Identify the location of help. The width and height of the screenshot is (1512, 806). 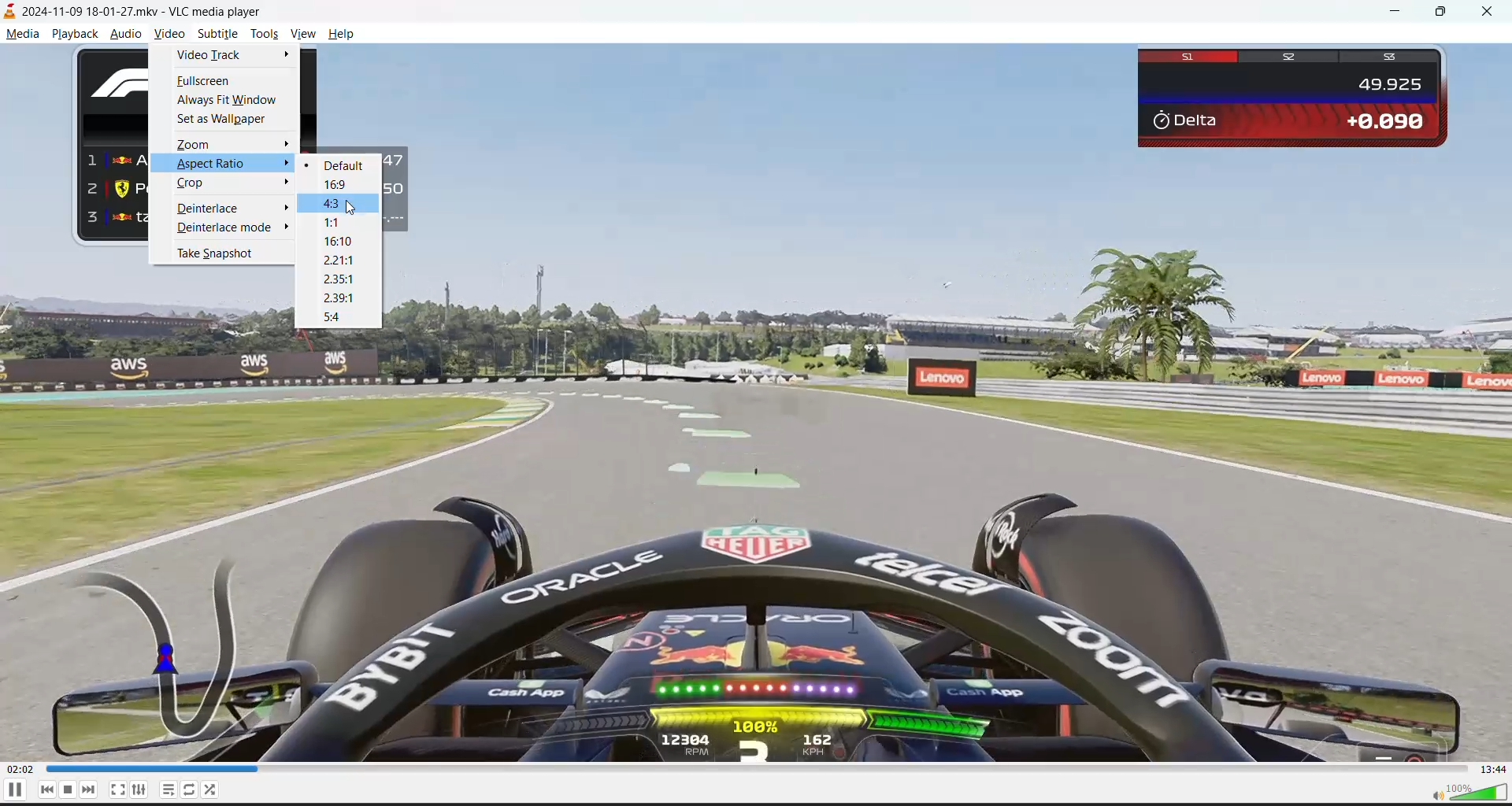
(345, 33).